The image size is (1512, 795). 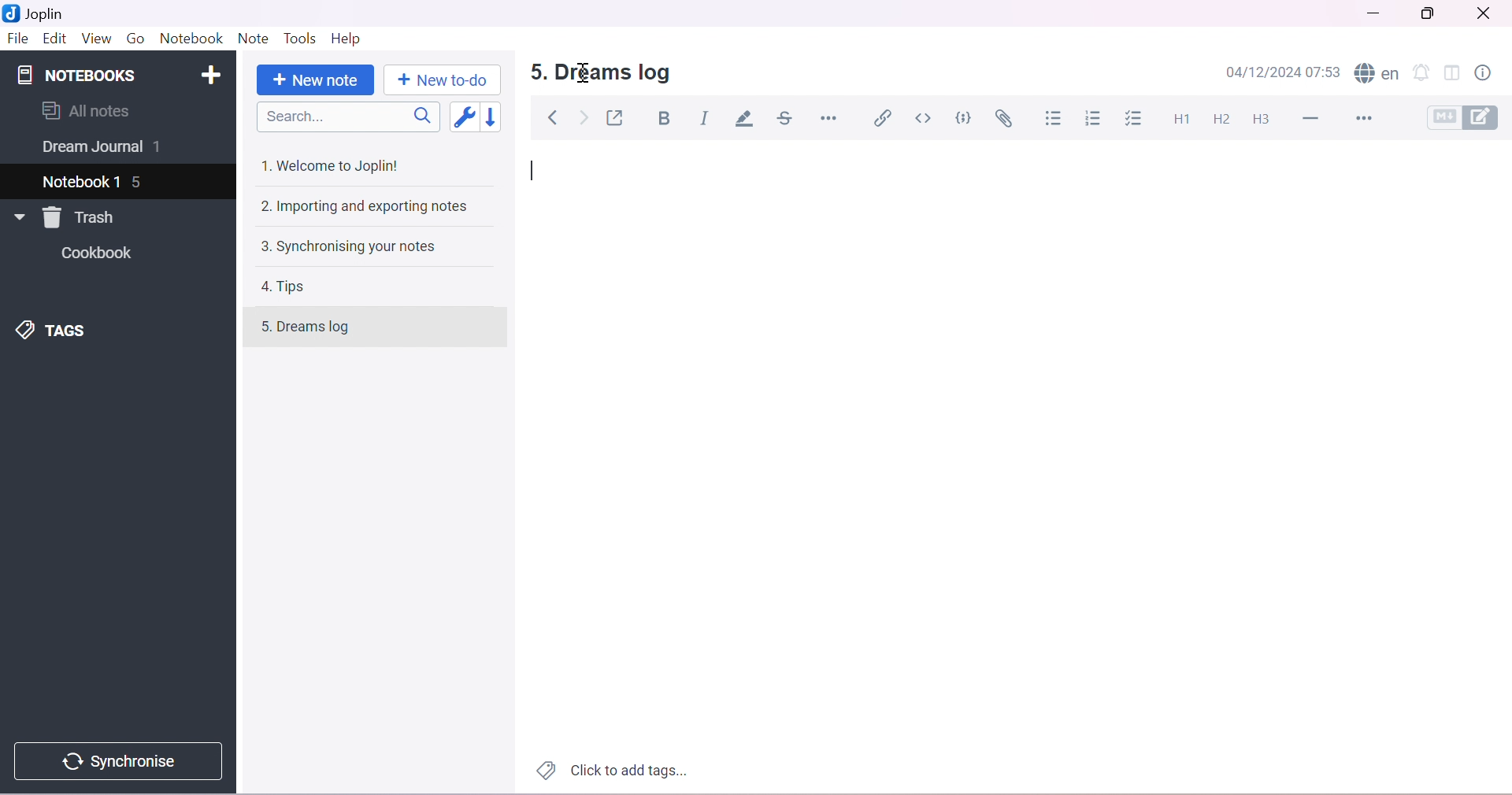 What do you see at coordinates (101, 255) in the screenshot?
I see `Cookbook` at bounding box center [101, 255].